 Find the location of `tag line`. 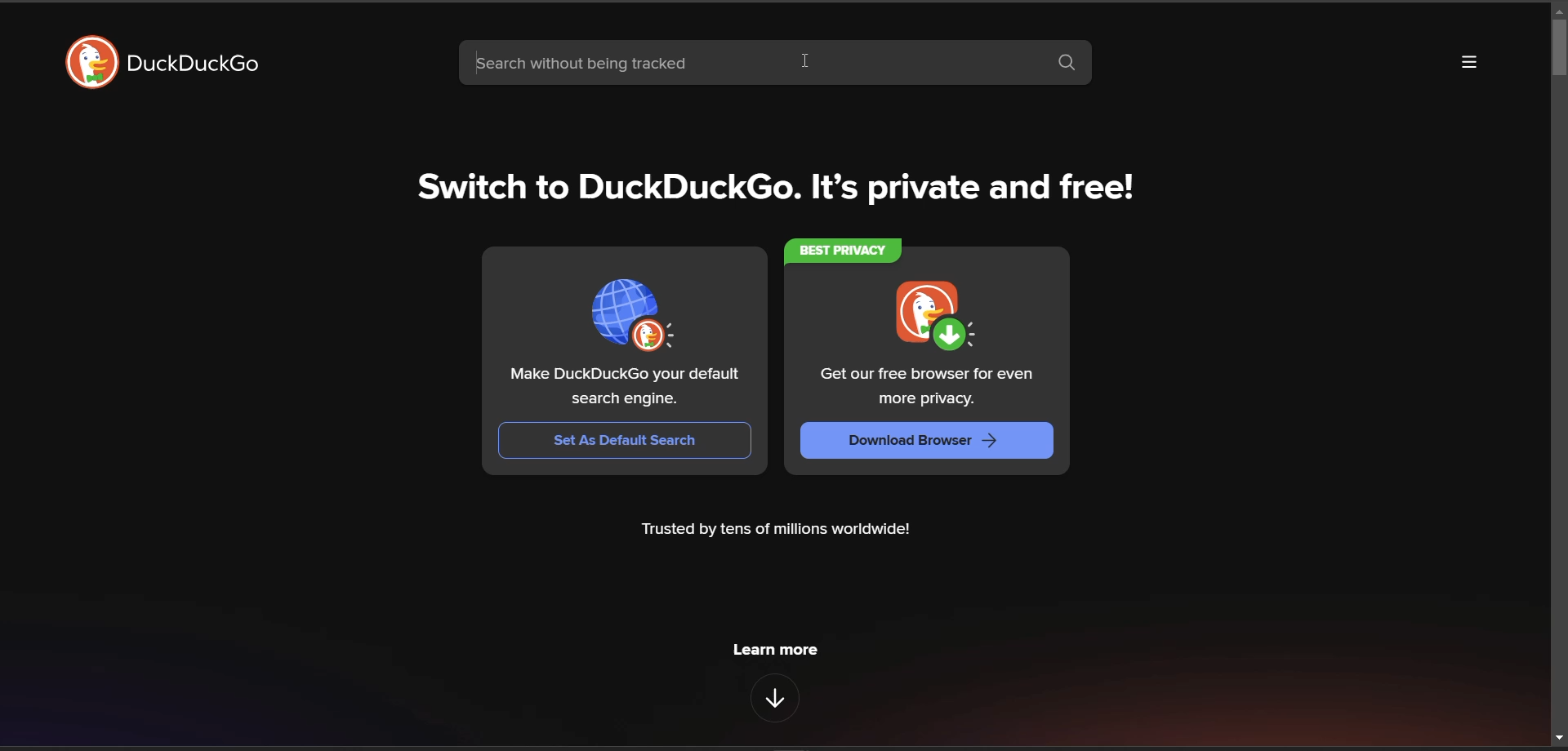

tag line is located at coordinates (786, 192).